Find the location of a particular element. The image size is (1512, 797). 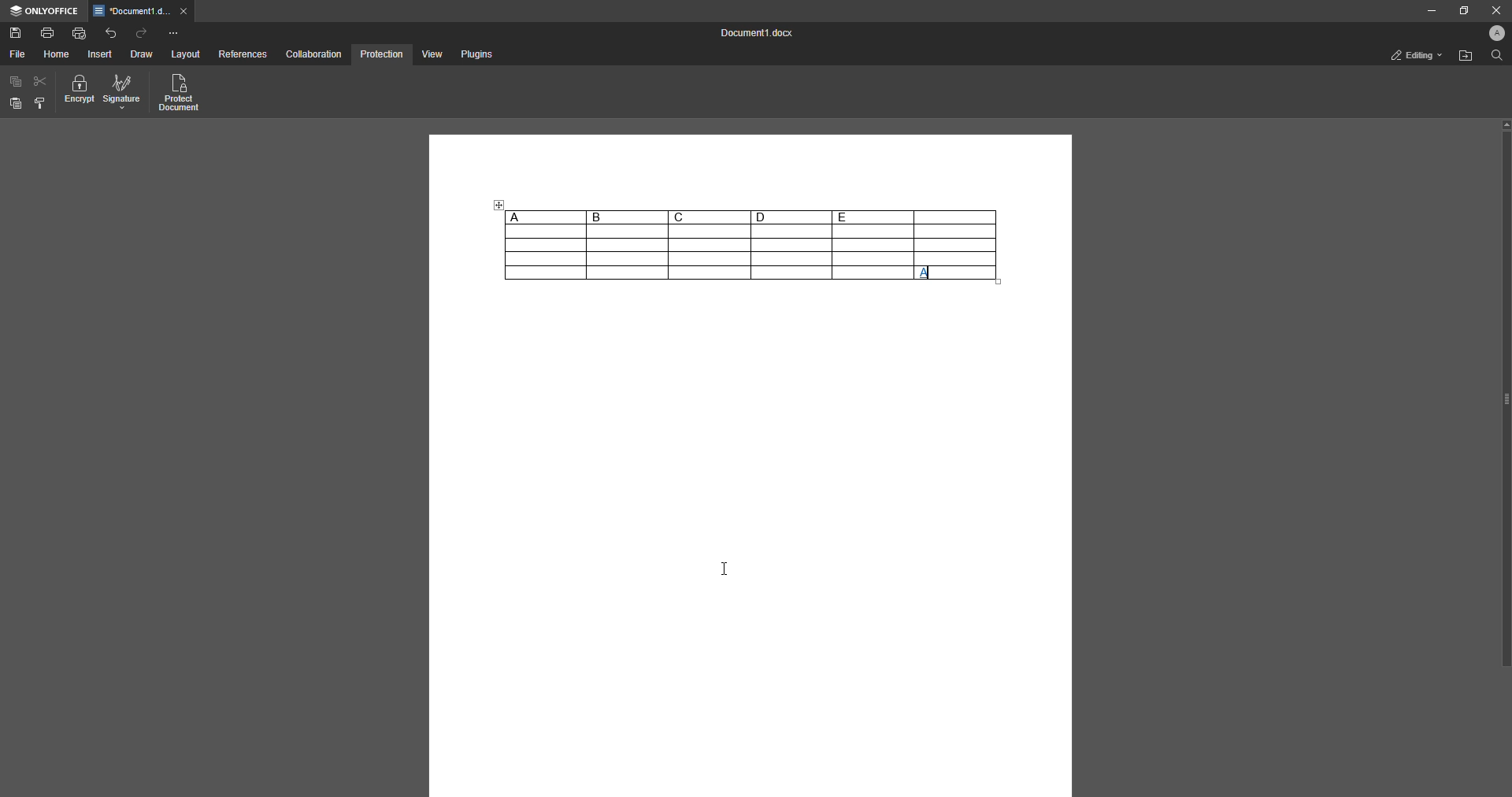

B is located at coordinates (627, 217).